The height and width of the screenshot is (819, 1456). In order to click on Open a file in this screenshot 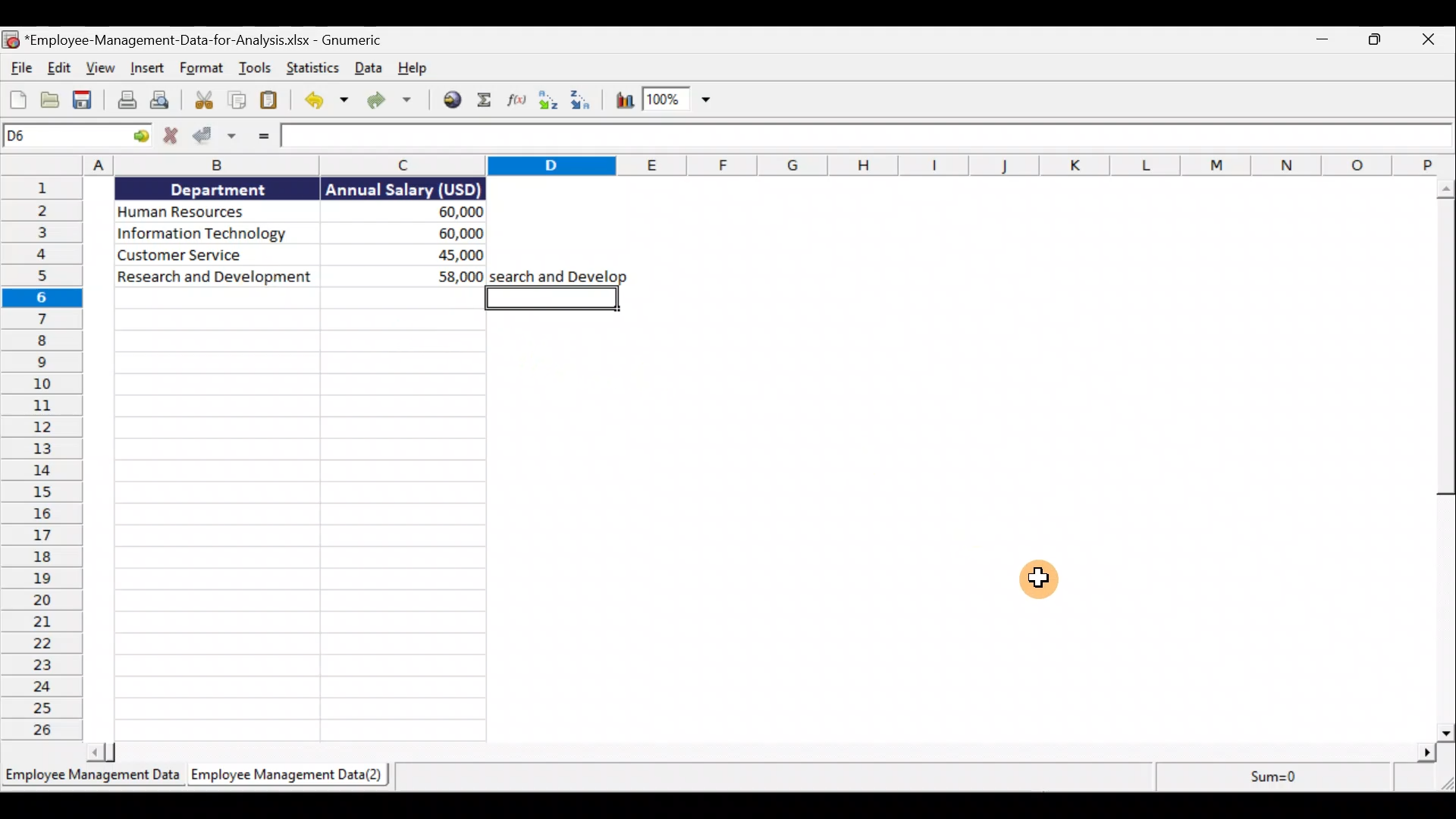, I will do `click(52, 99)`.